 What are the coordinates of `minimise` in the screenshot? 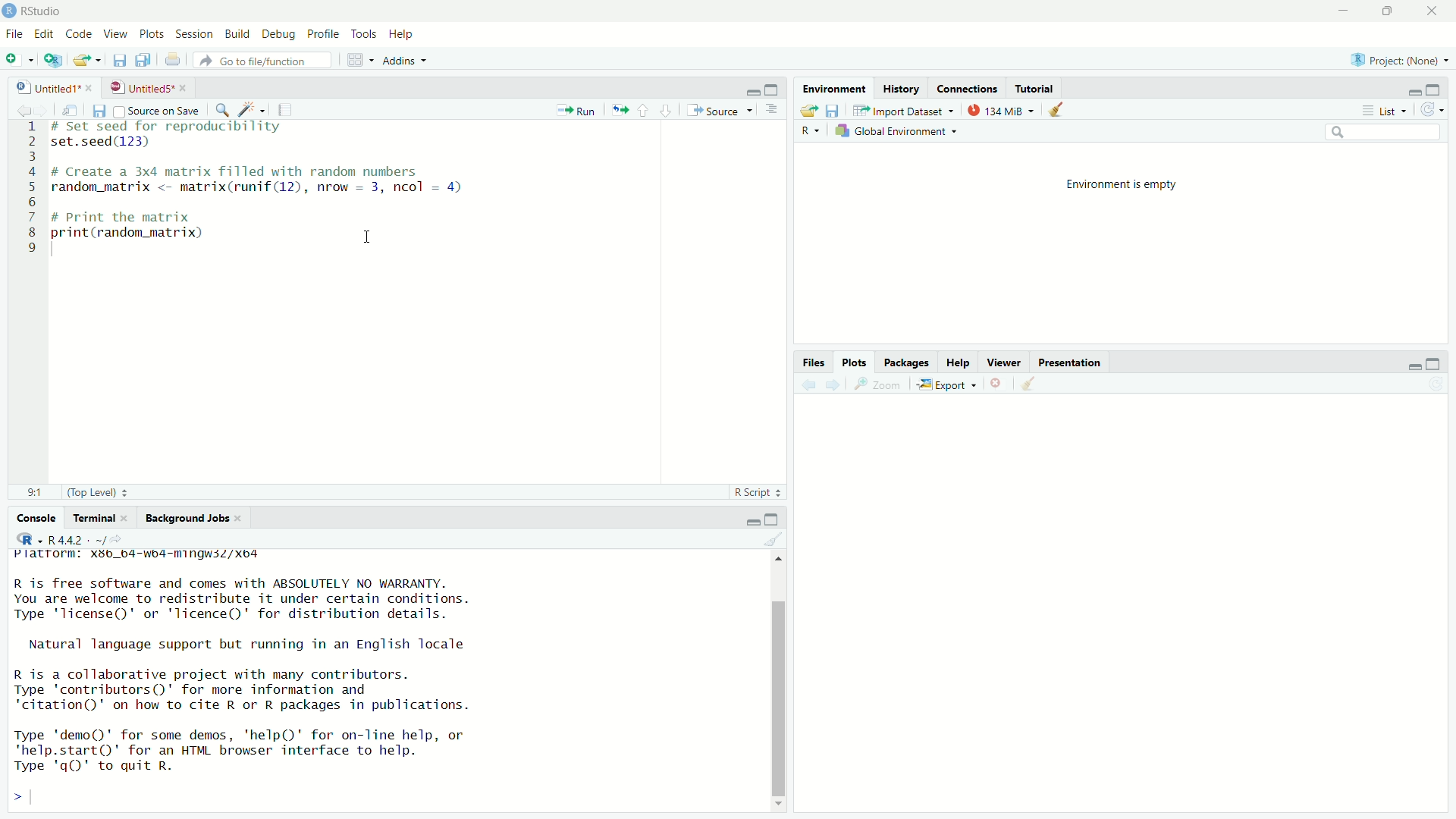 It's located at (1343, 11).